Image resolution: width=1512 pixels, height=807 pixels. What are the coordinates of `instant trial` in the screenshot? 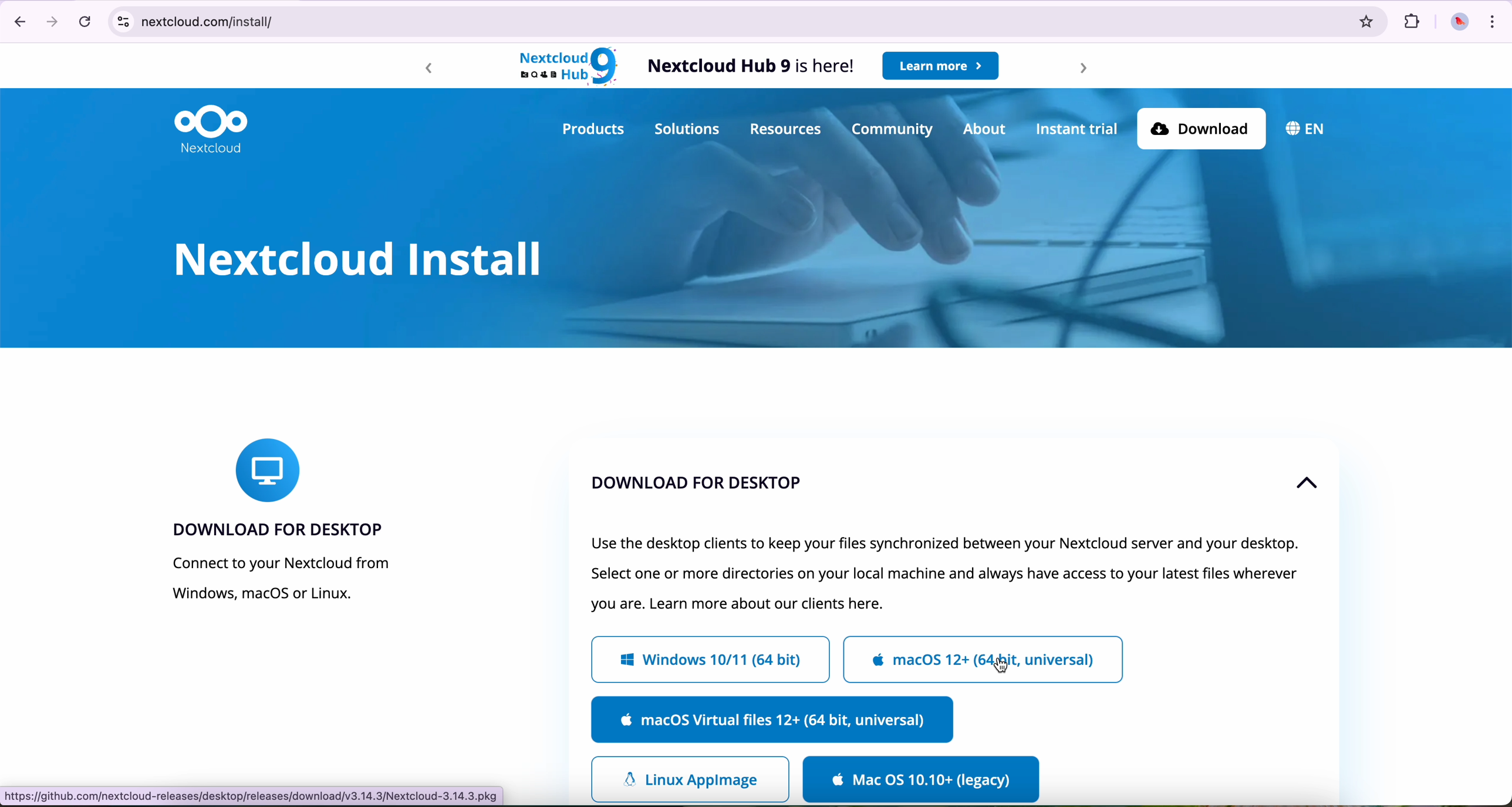 It's located at (1078, 130).